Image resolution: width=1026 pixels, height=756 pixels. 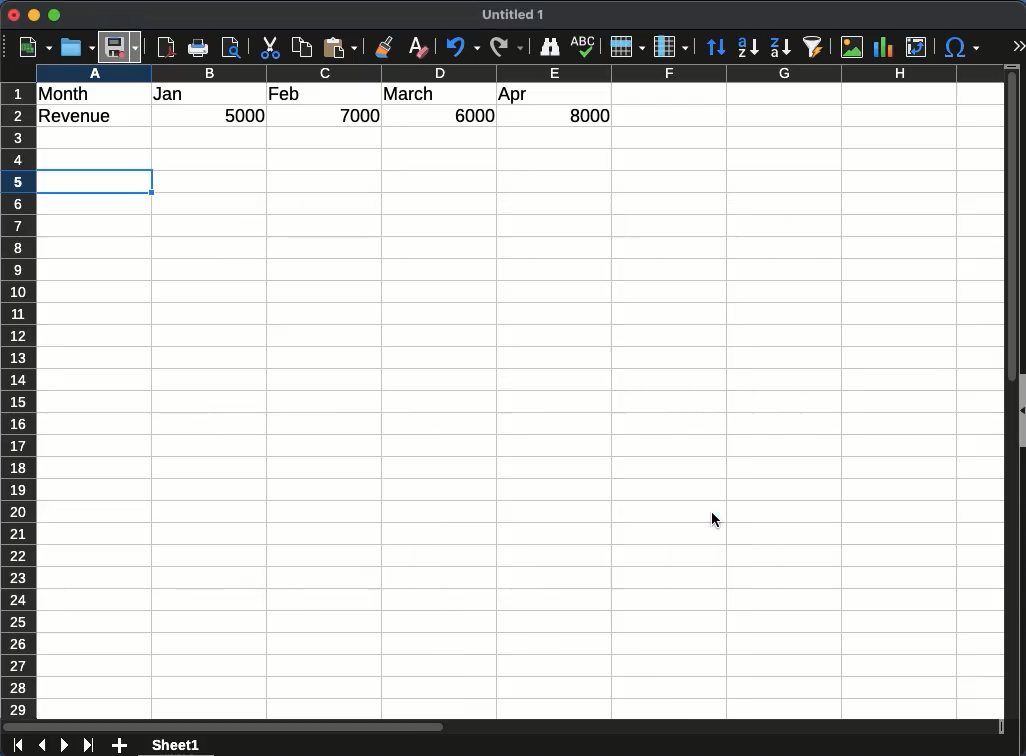 I want to click on chart, so click(x=881, y=46).